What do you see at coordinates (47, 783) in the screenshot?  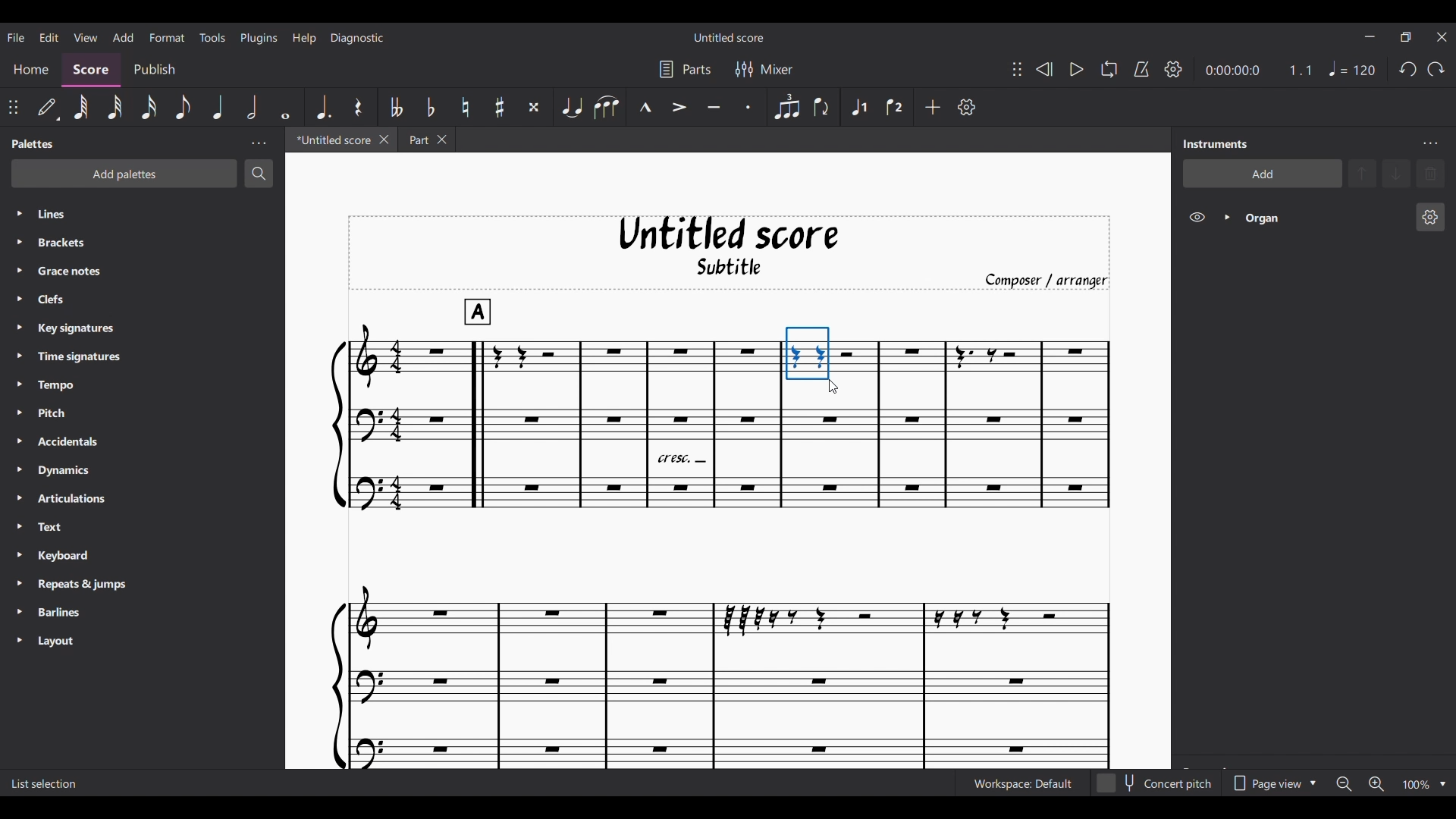 I see `Description of current selection` at bounding box center [47, 783].